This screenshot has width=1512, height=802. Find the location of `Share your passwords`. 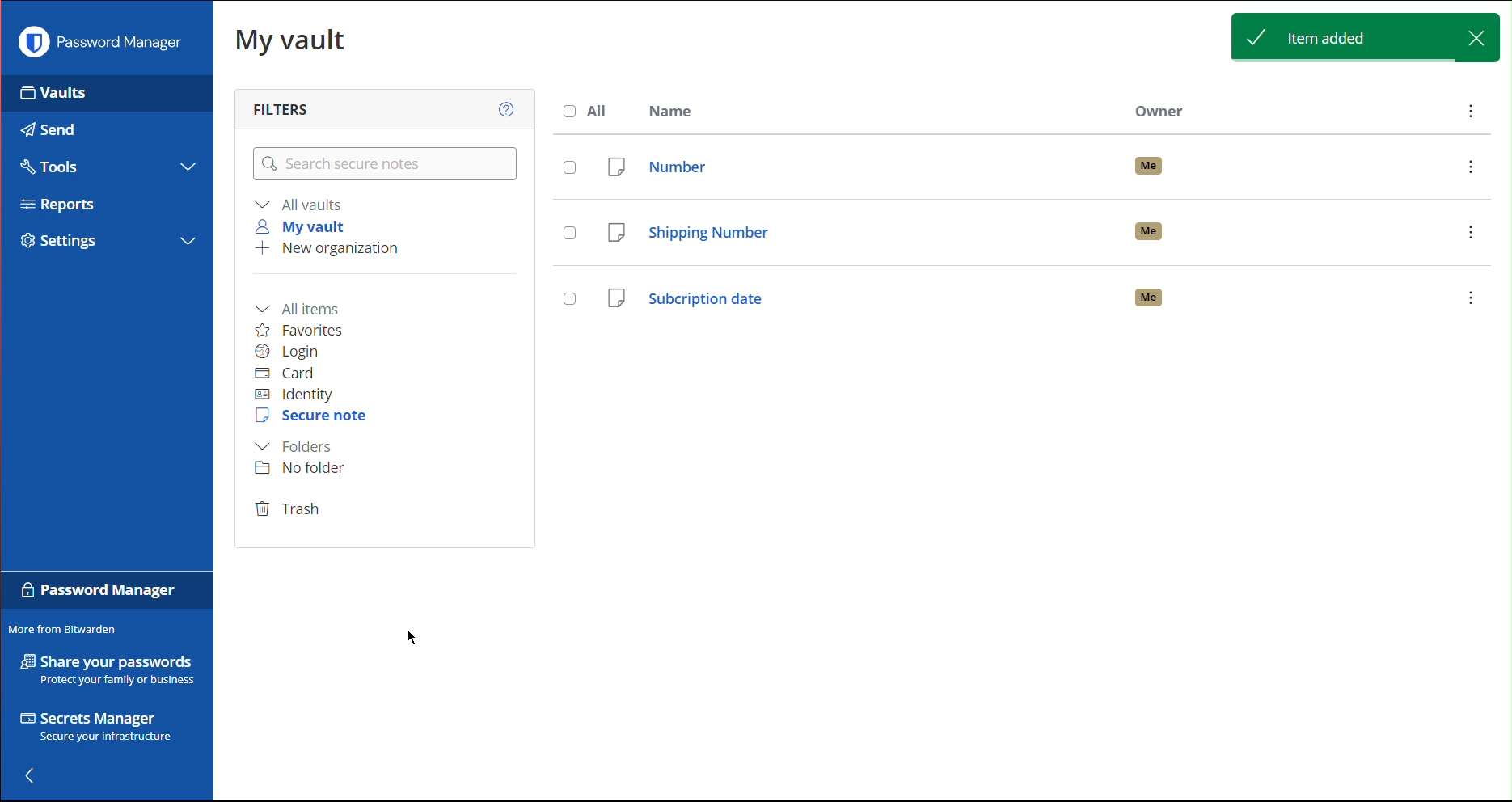

Share your passwords is located at coordinates (103, 670).